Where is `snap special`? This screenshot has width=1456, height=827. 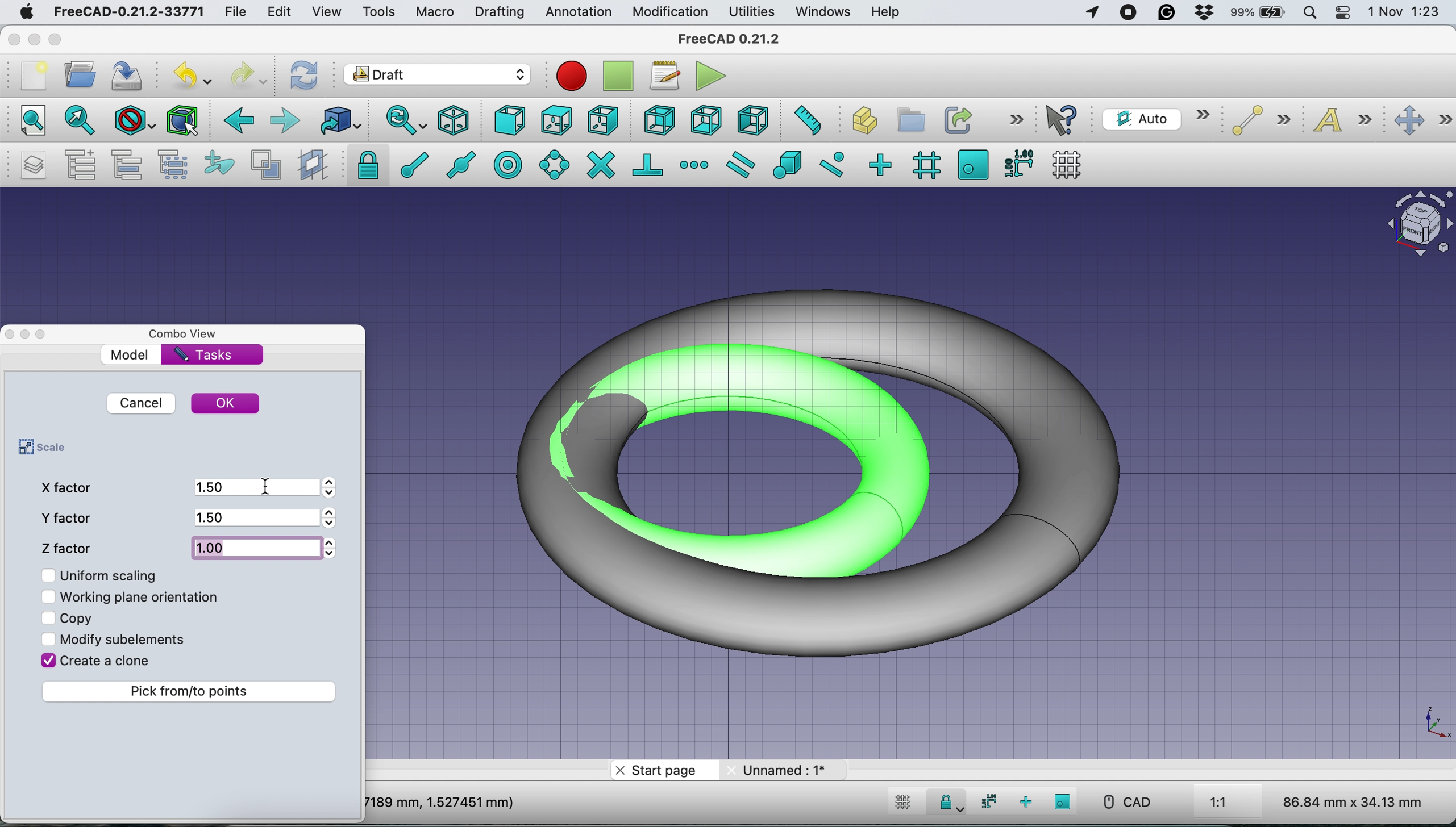
snap special is located at coordinates (788, 165).